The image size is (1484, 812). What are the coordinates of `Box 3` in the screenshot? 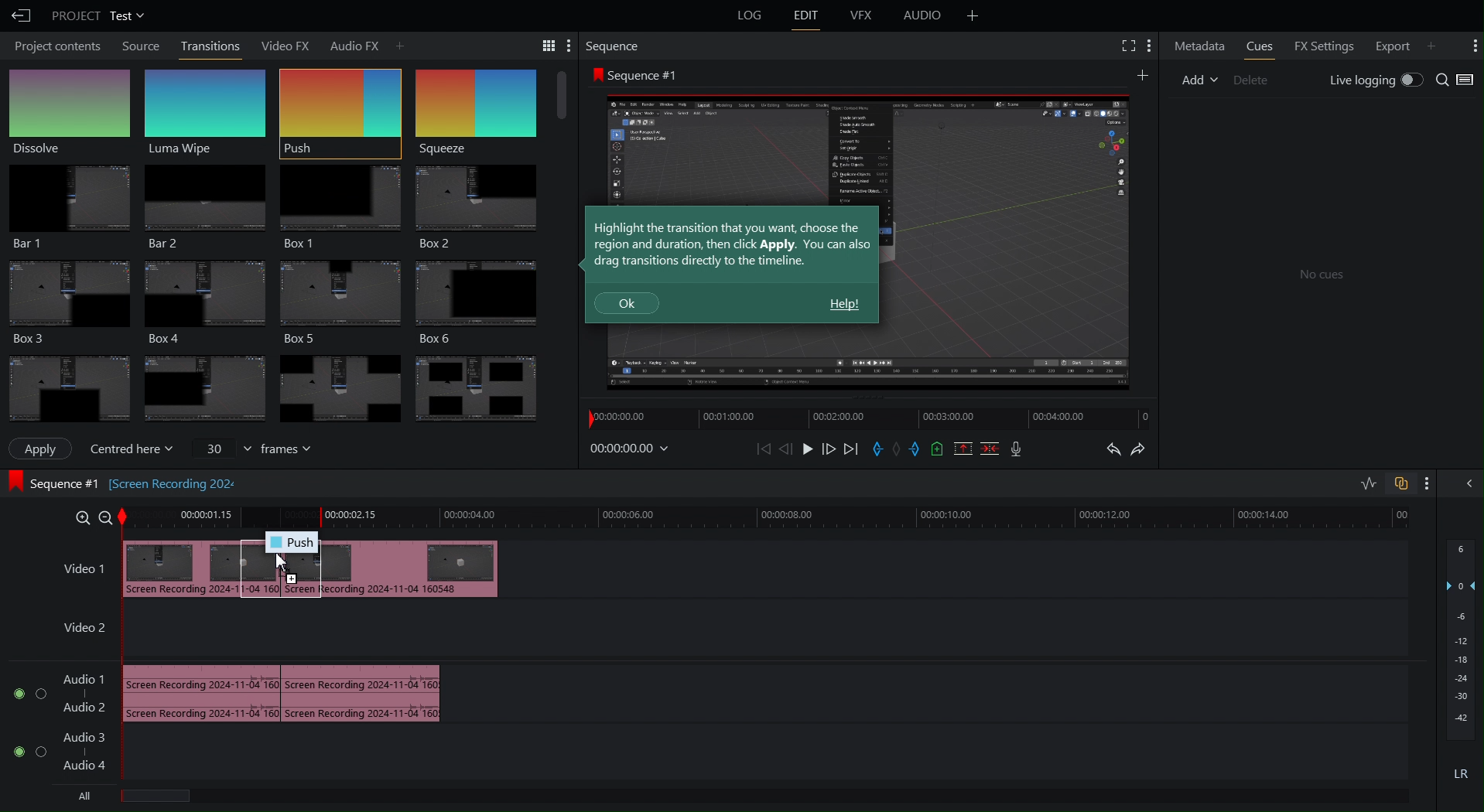 It's located at (343, 302).